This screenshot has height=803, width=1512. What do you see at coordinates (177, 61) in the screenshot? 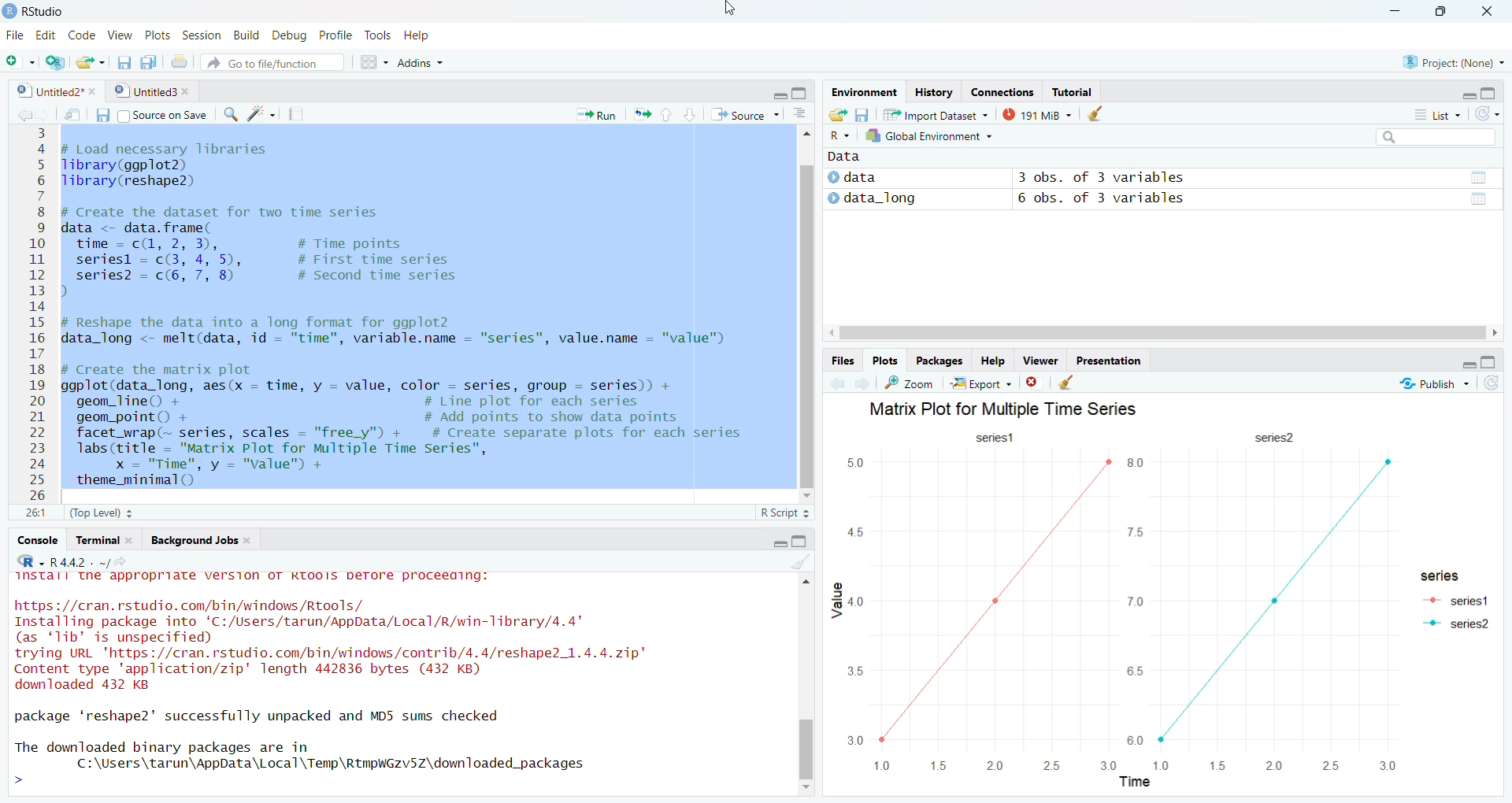
I see `print the current file` at bounding box center [177, 61].